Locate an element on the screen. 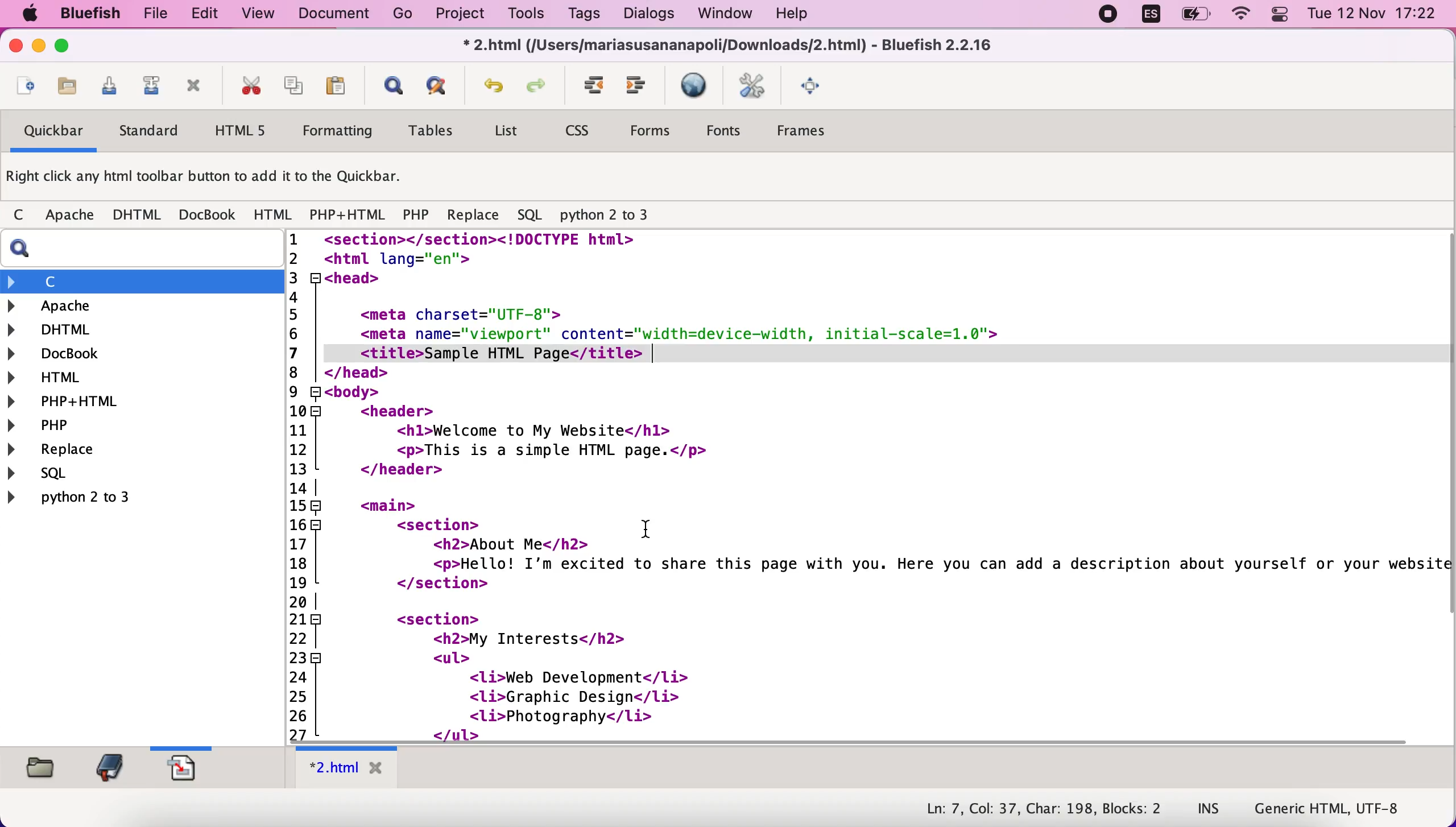 This screenshot has height=827, width=1456. mac logo is located at coordinates (35, 14).